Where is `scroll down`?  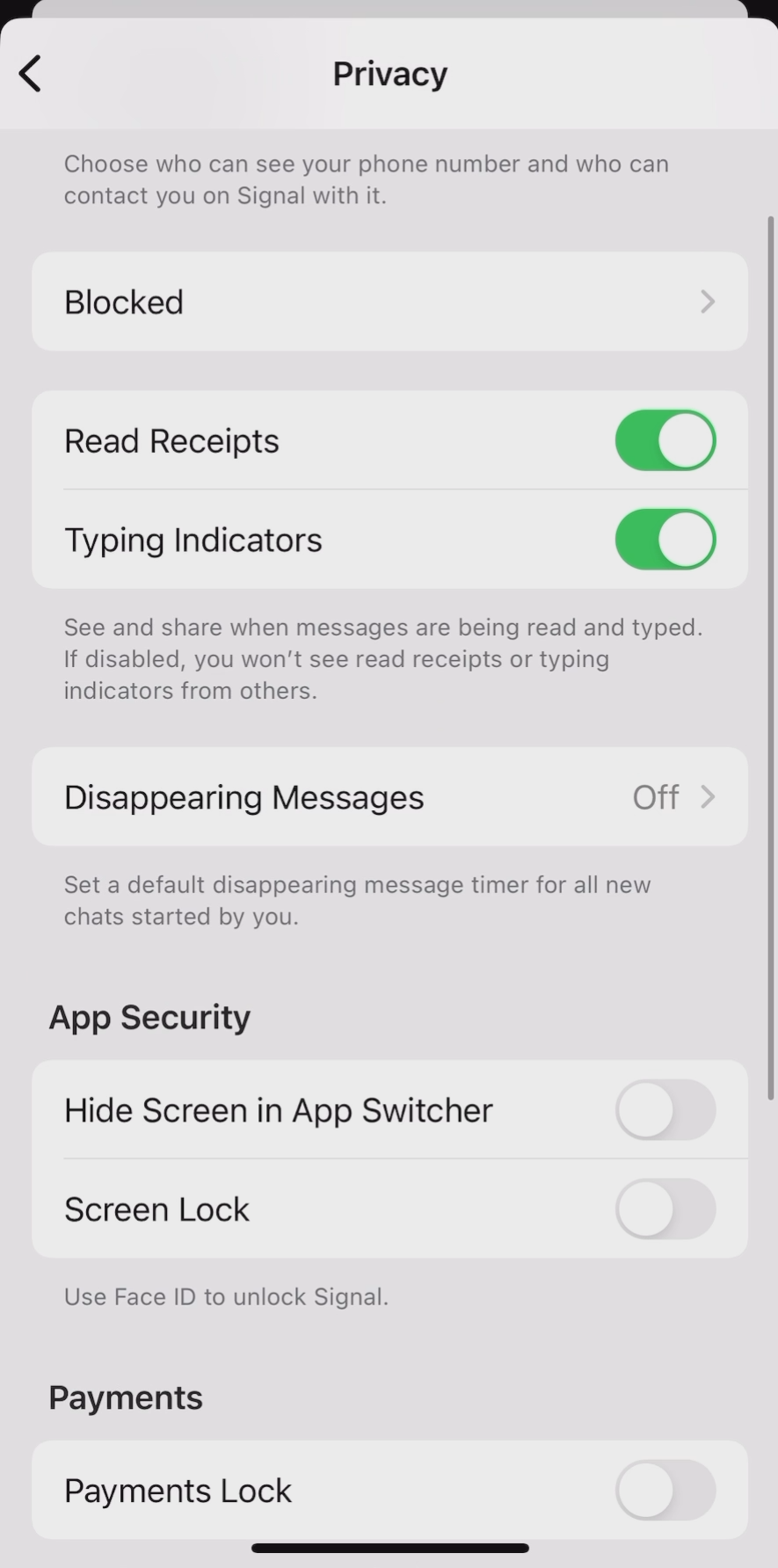 scroll down is located at coordinates (771, 666).